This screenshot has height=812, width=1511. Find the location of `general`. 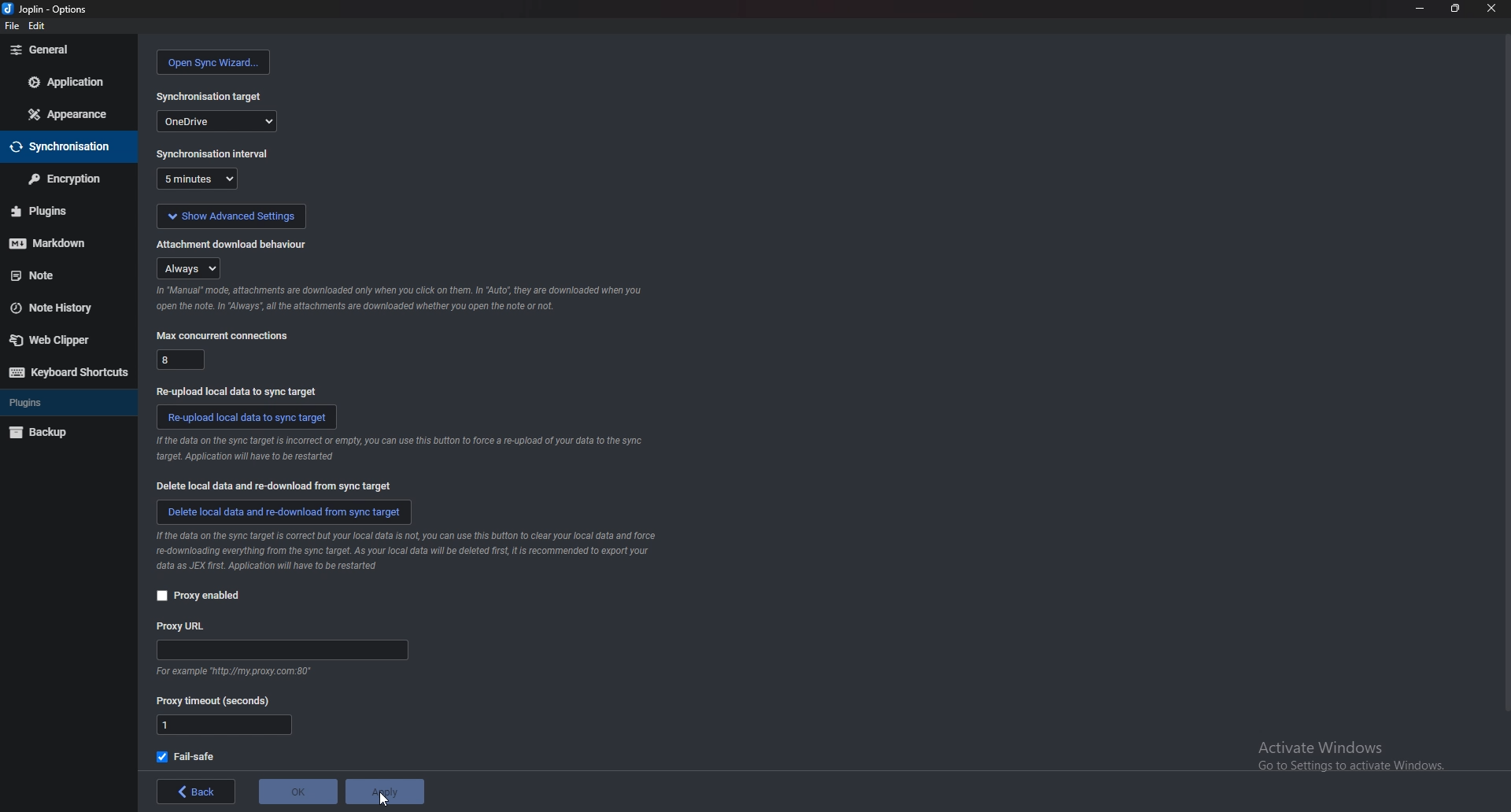

general is located at coordinates (68, 50).